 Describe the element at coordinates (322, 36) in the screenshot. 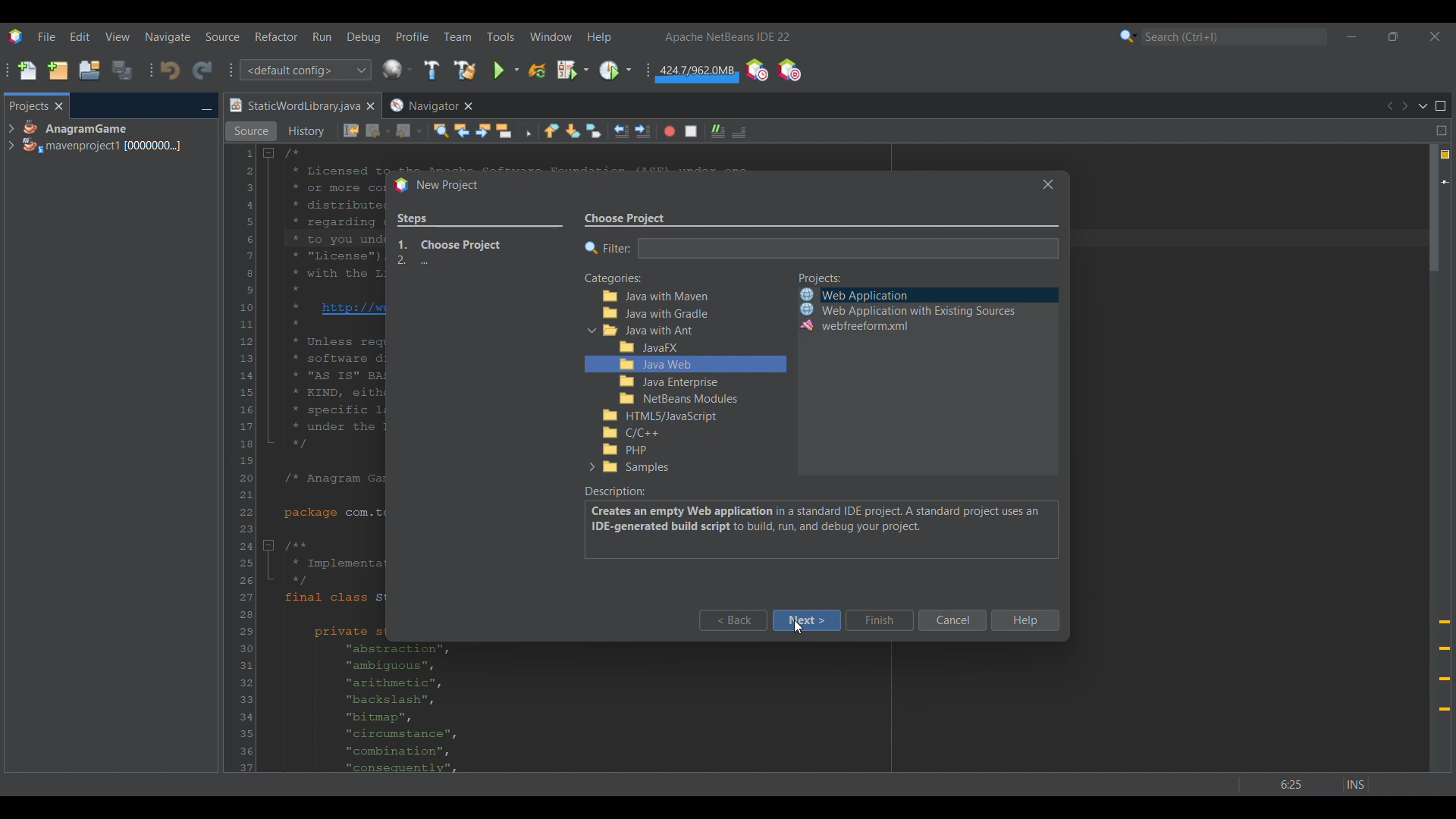

I see `Run menu` at that location.